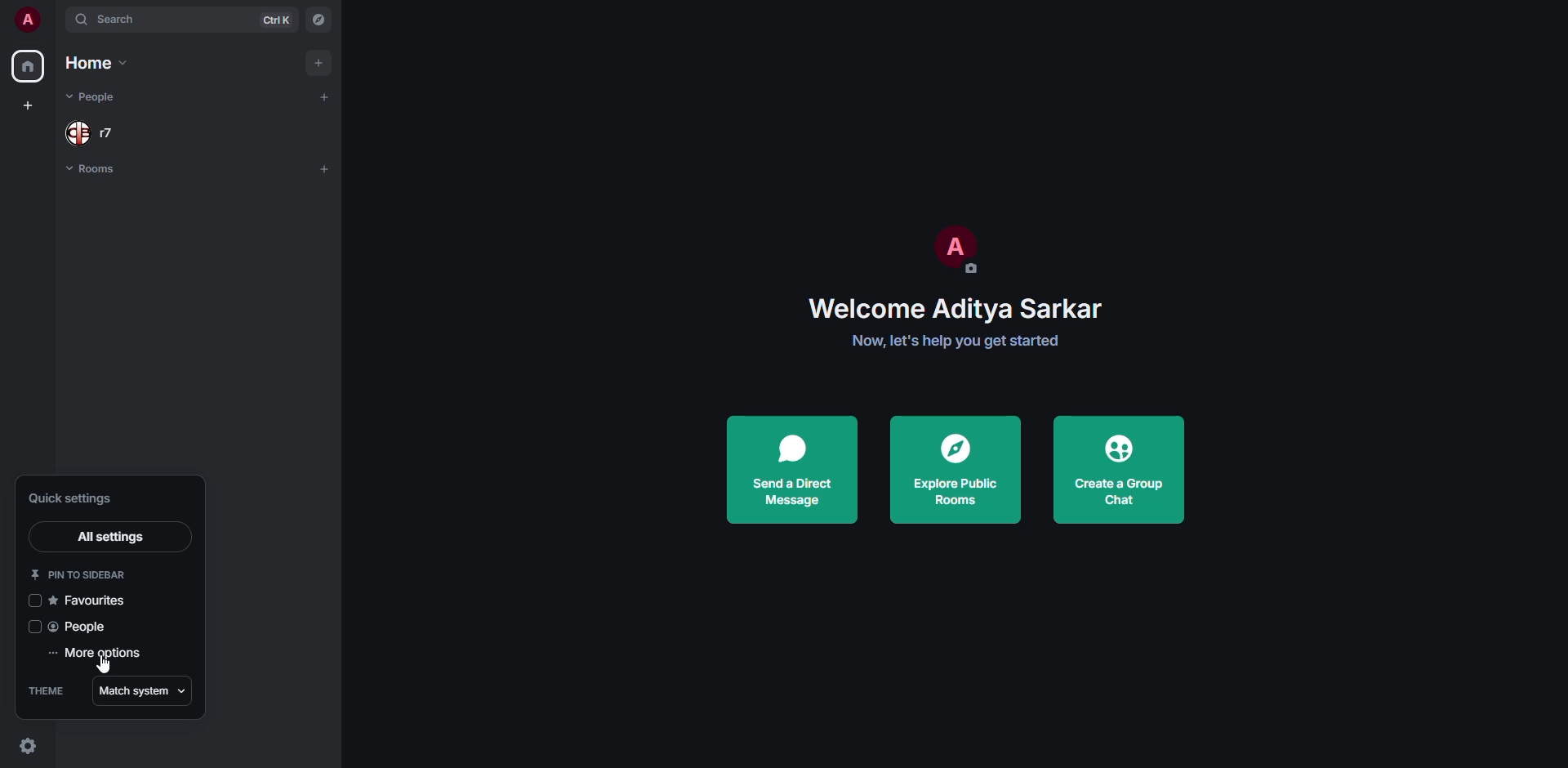  Describe the element at coordinates (123, 20) in the screenshot. I see `search` at that location.